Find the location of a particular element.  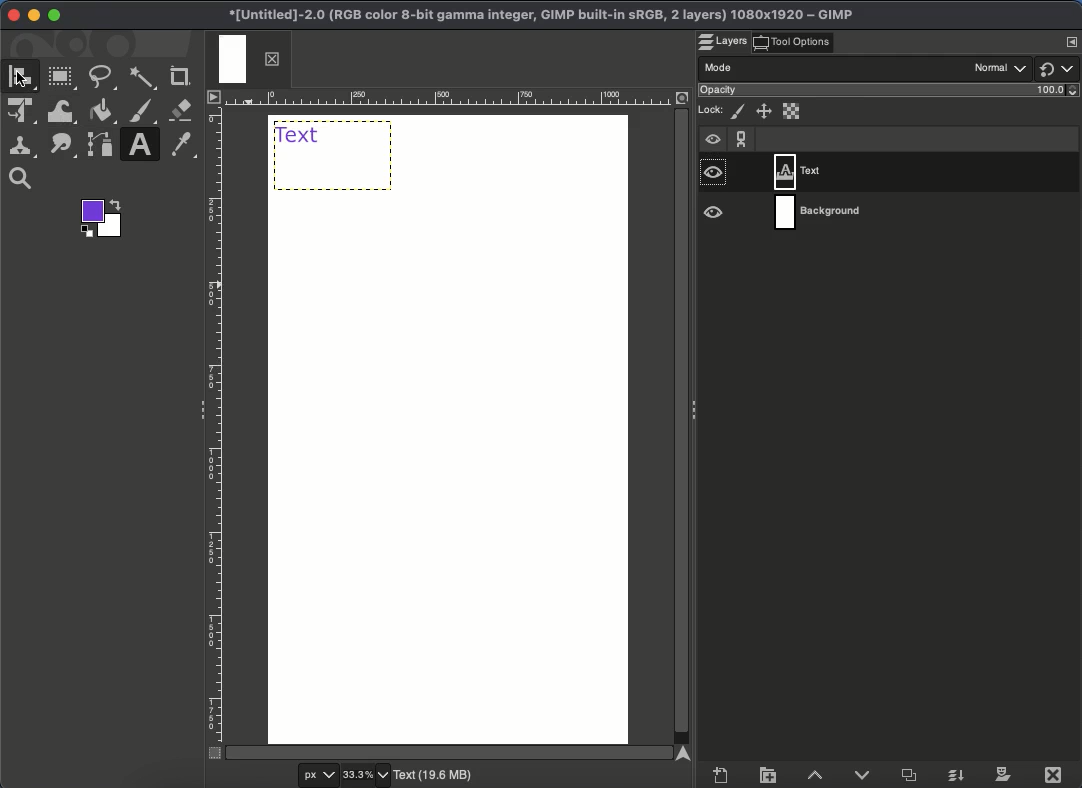

Close is located at coordinates (1056, 773).